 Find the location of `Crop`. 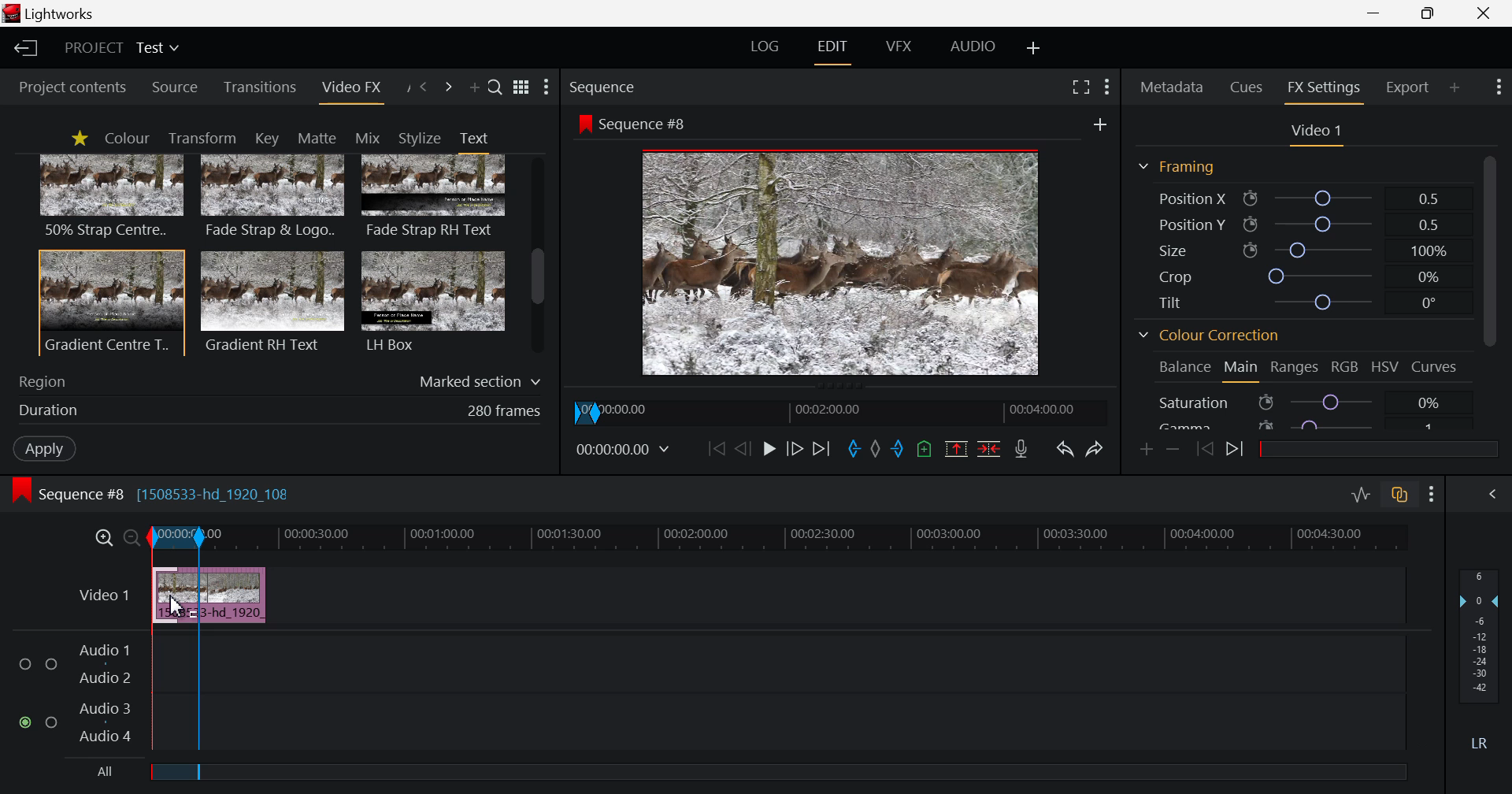

Crop is located at coordinates (1301, 276).